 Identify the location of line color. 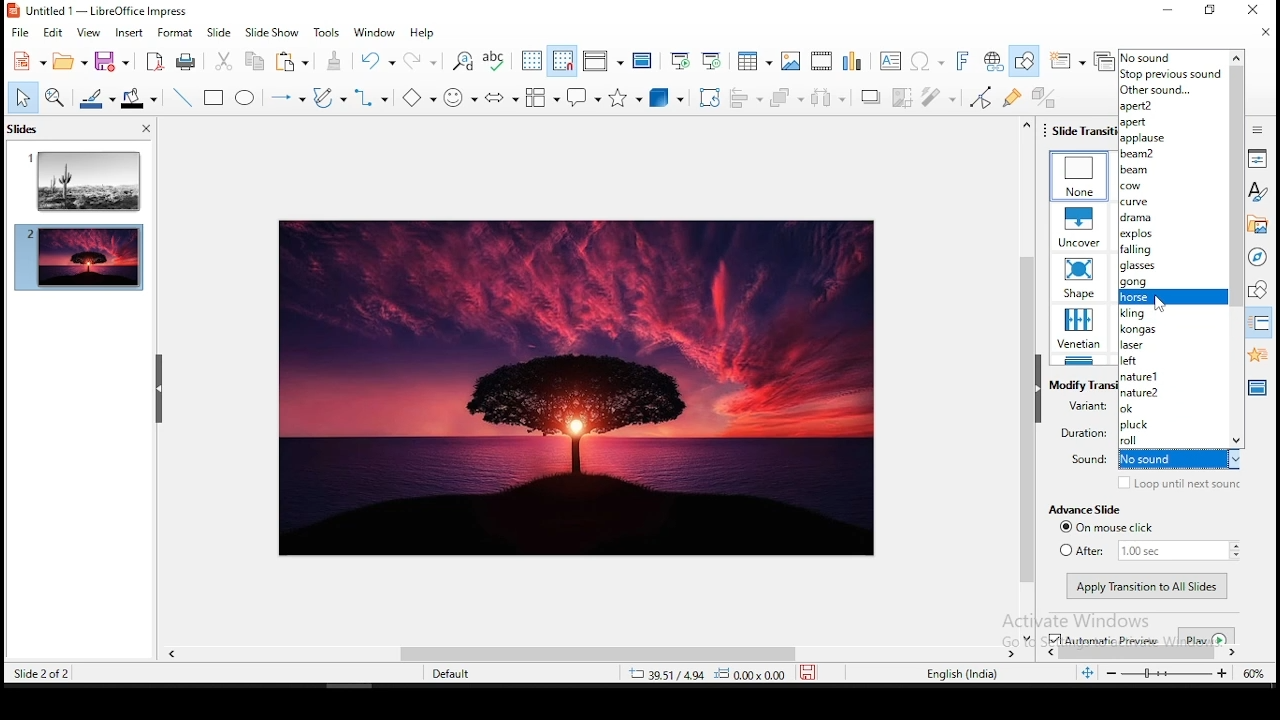
(96, 98).